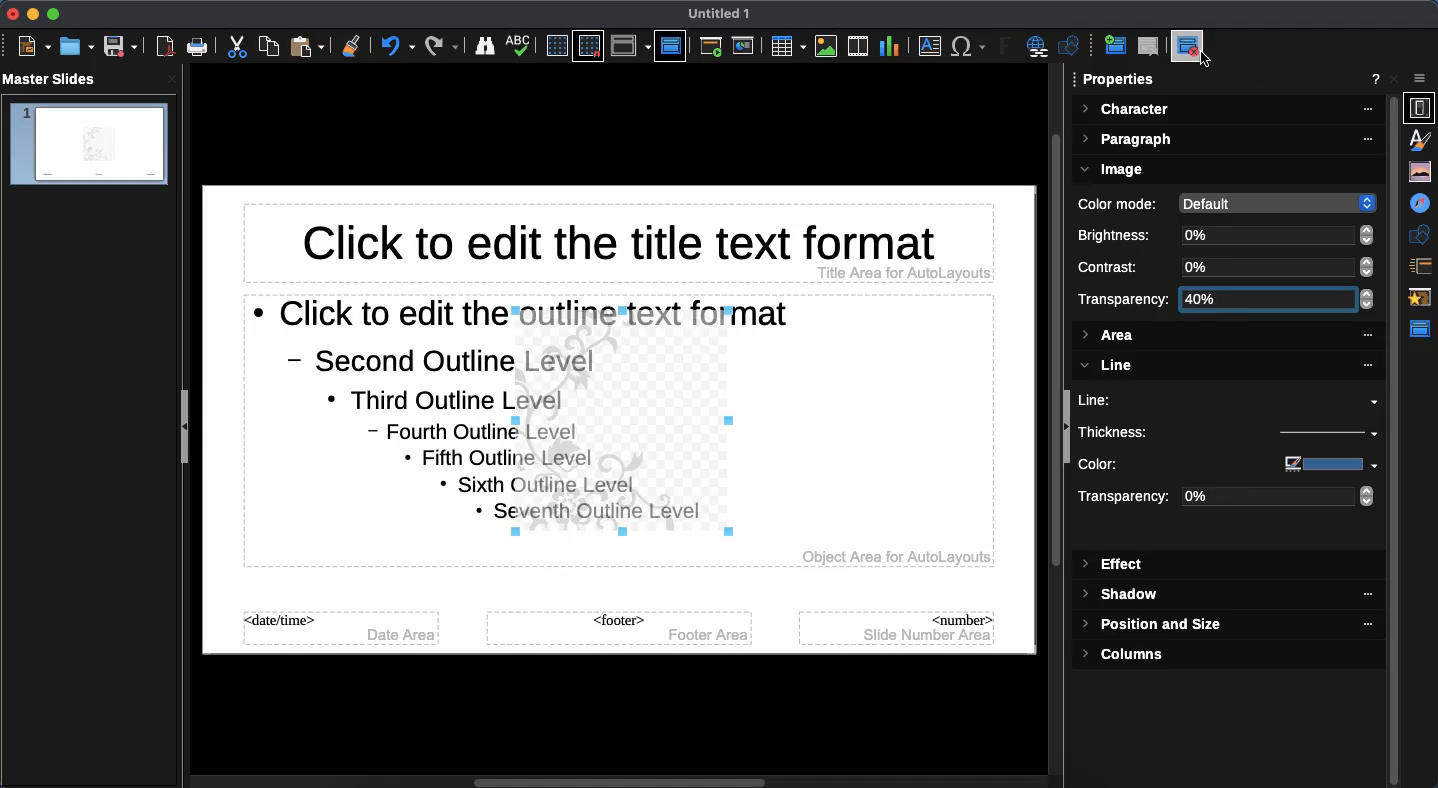  What do you see at coordinates (555, 45) in the screenshot?
I see `Display grid` at bounding box center [555, 45].